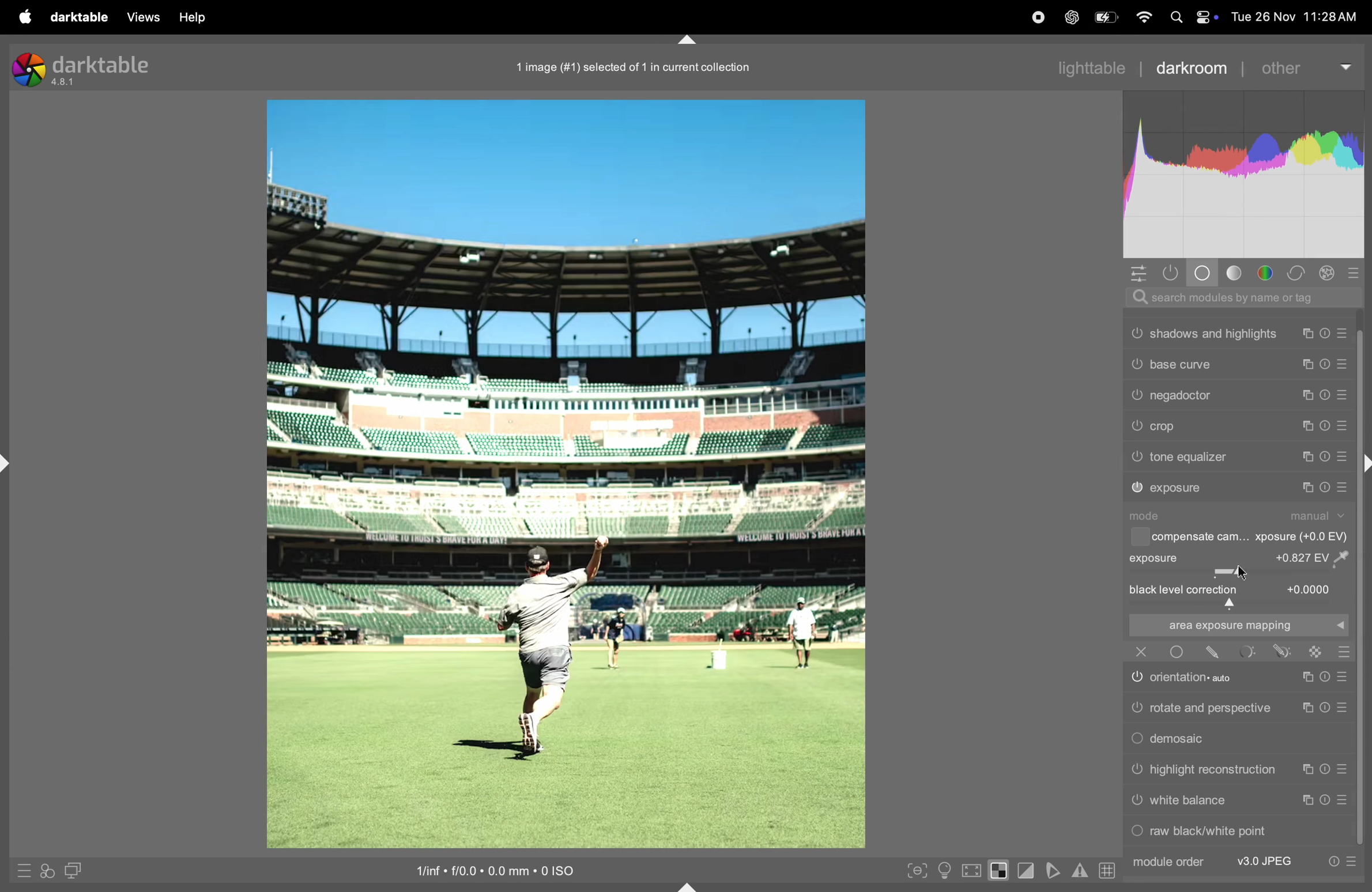 The image size is (1372, 892). I want to click on Checkbox , so click(1138, 537).